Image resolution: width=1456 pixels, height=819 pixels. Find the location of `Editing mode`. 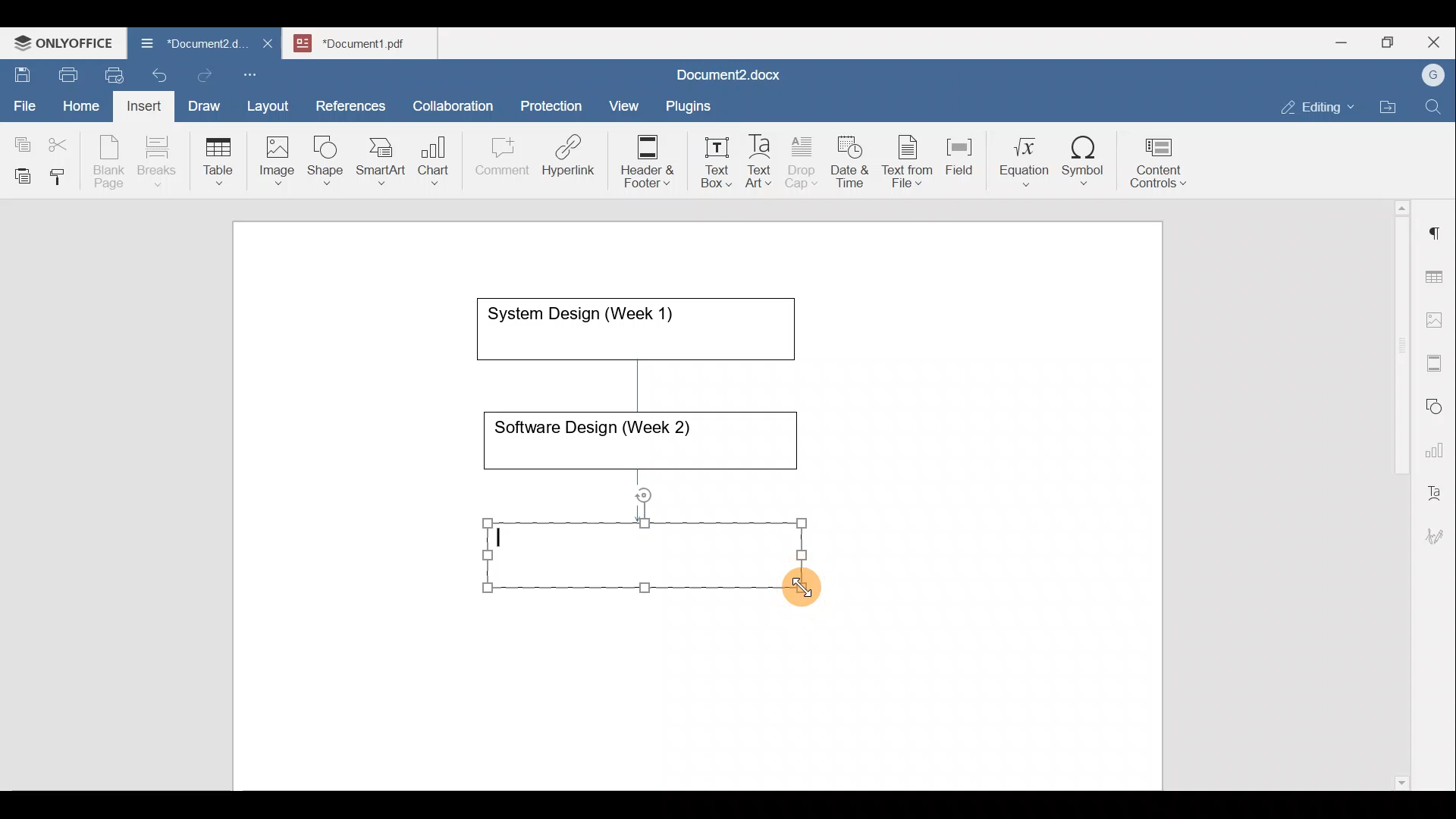

Editing mode is located at coordinates (1318, 104).